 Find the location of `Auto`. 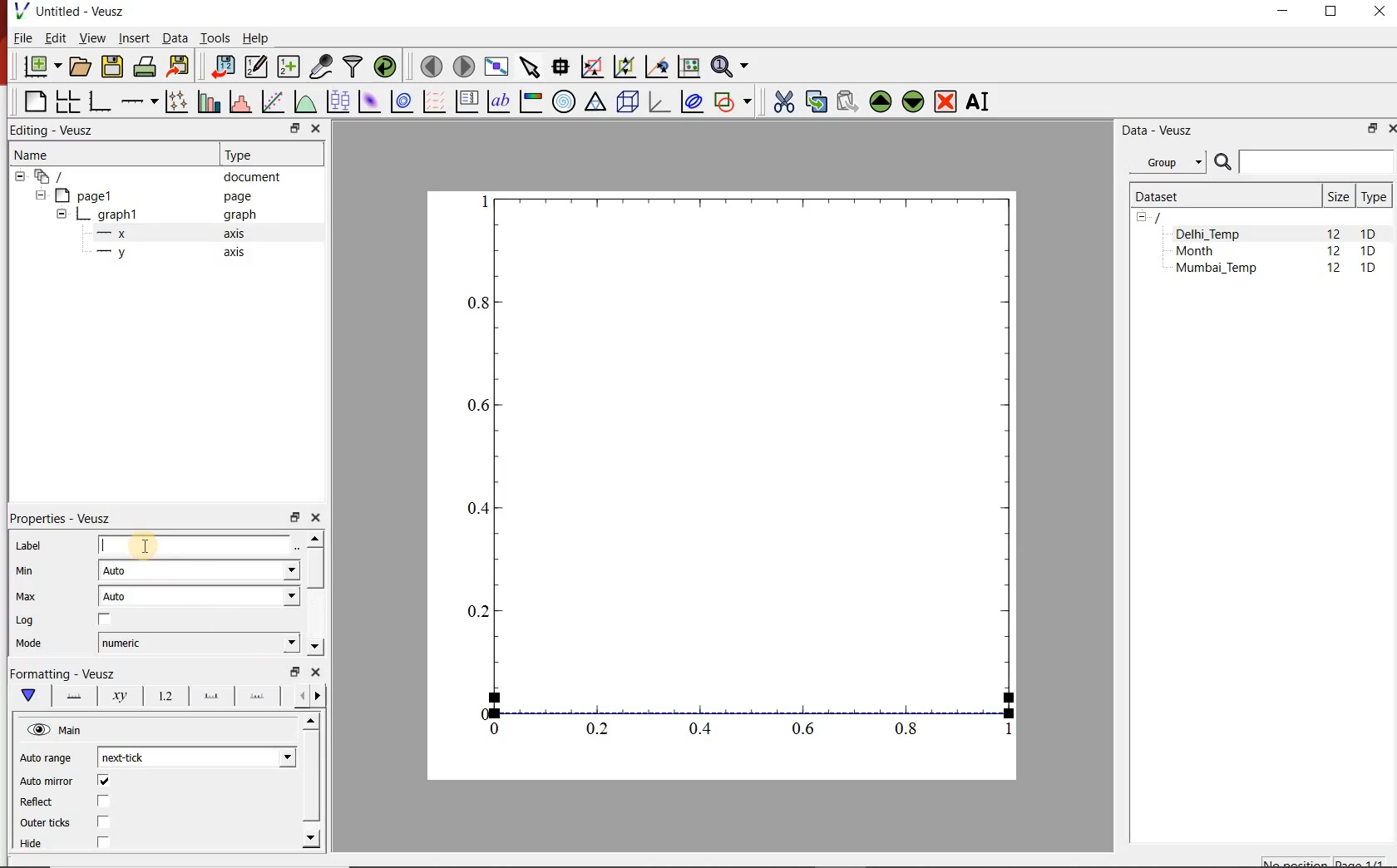

Auto is located at coordinates (200, 570).